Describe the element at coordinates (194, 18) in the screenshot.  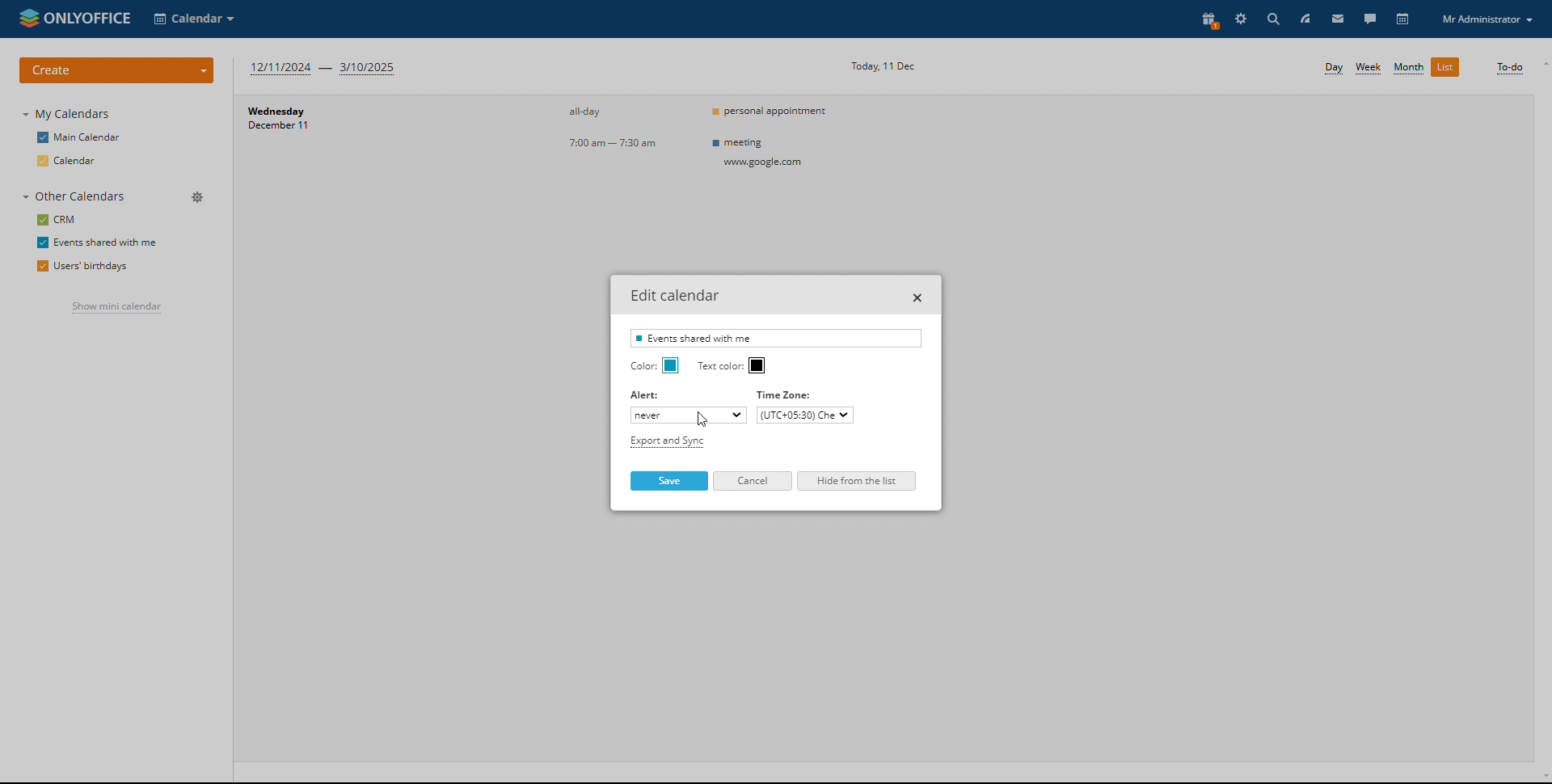
I see `select application` at that location.